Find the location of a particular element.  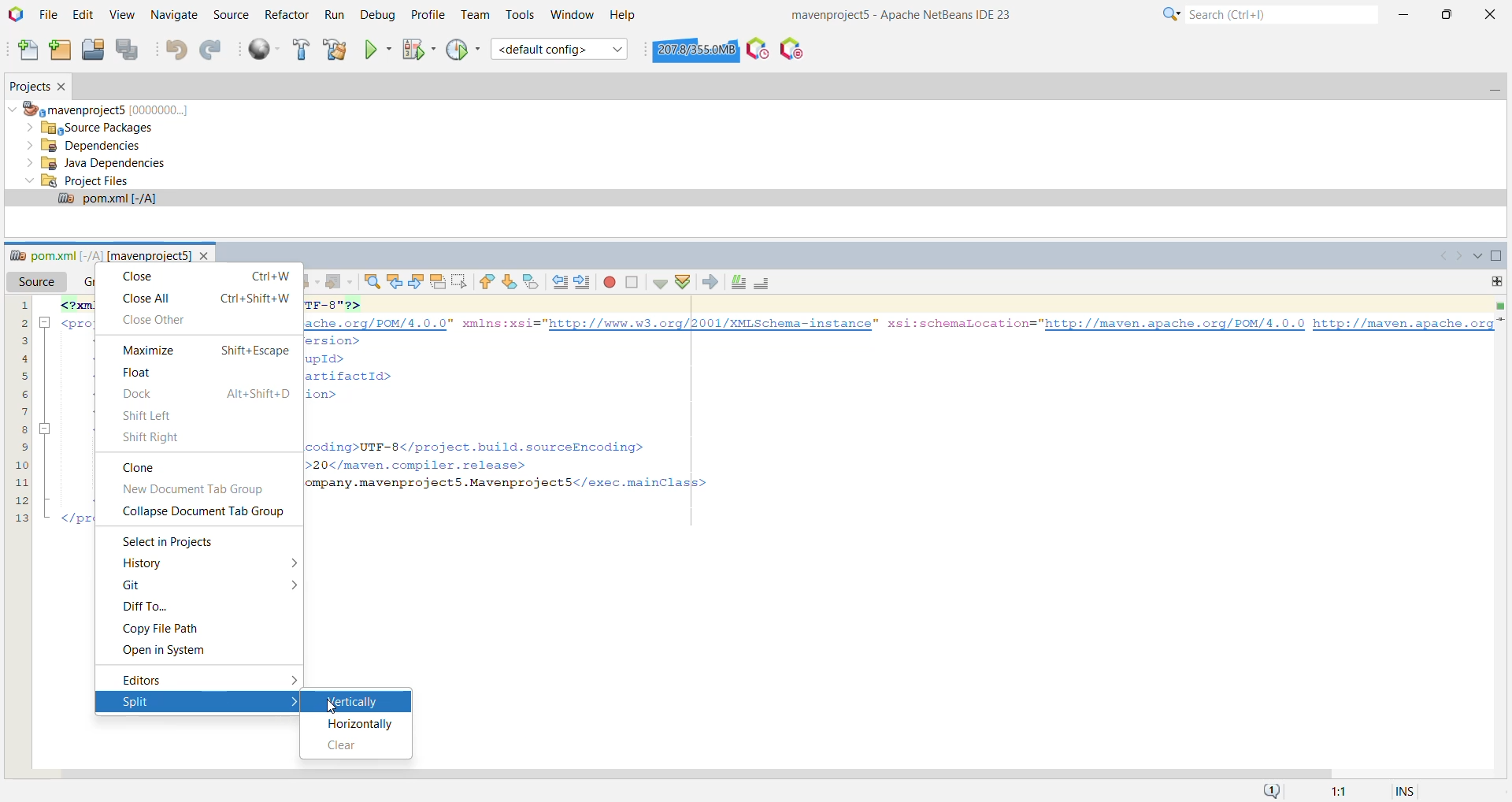

12 is located at coordinates (20, 499).